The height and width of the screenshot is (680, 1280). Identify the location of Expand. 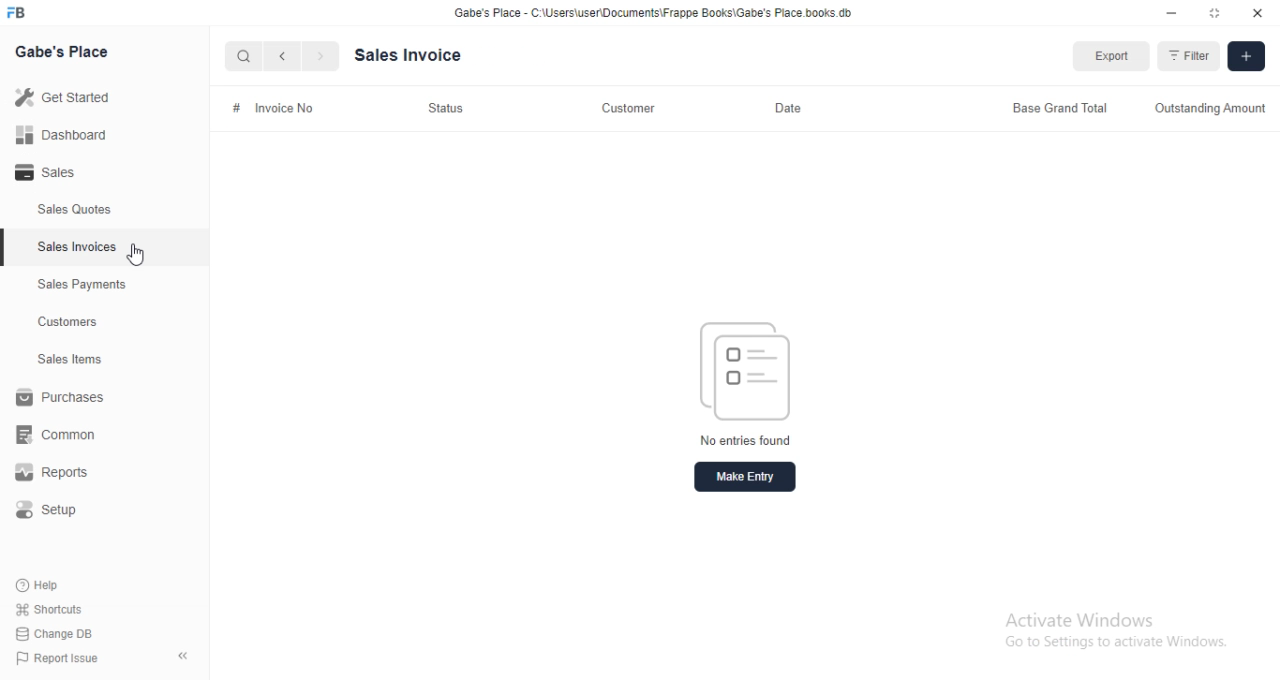
(1215, 14).